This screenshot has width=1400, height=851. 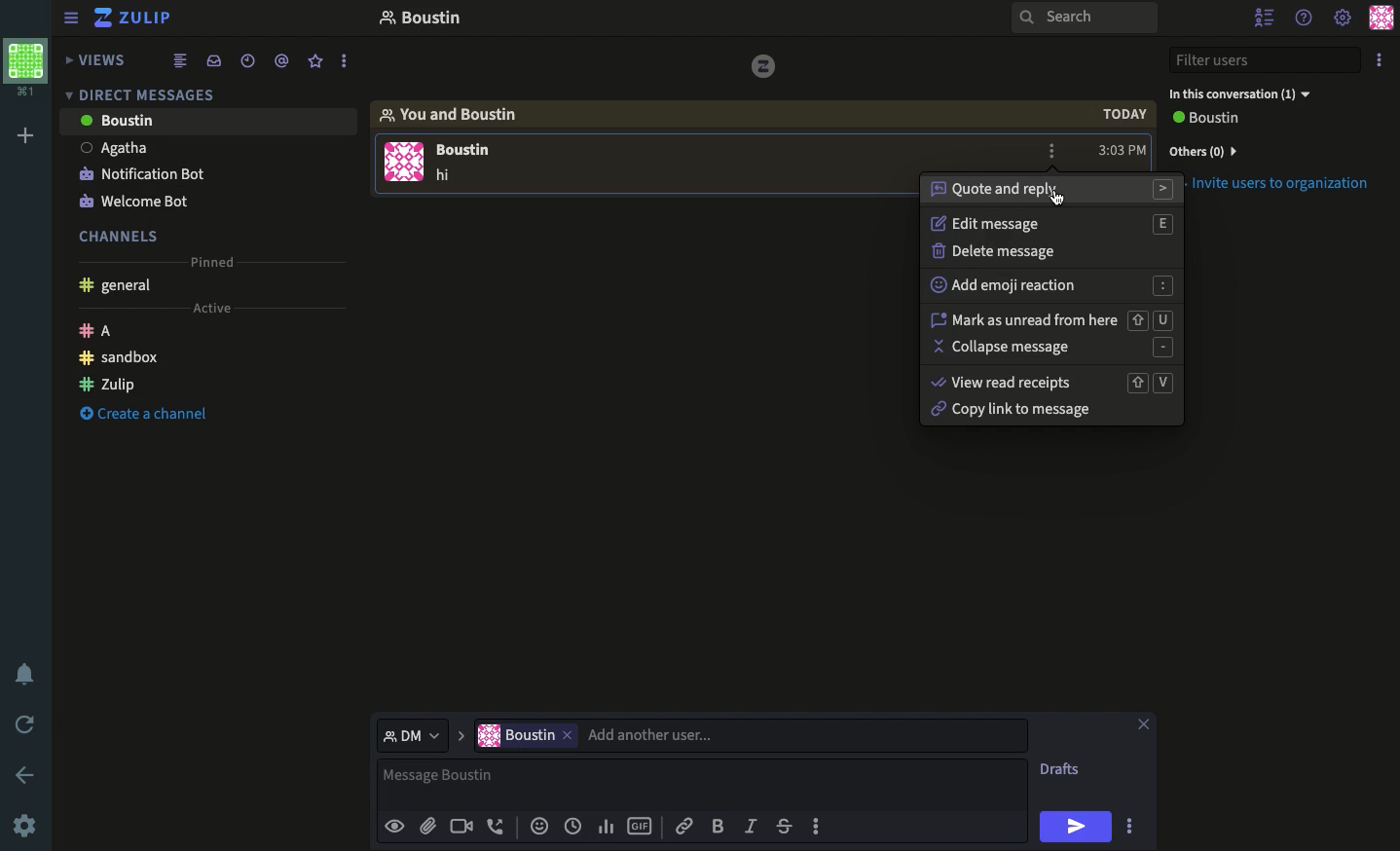 I want to click on Feed, so click(x=183, y=61).